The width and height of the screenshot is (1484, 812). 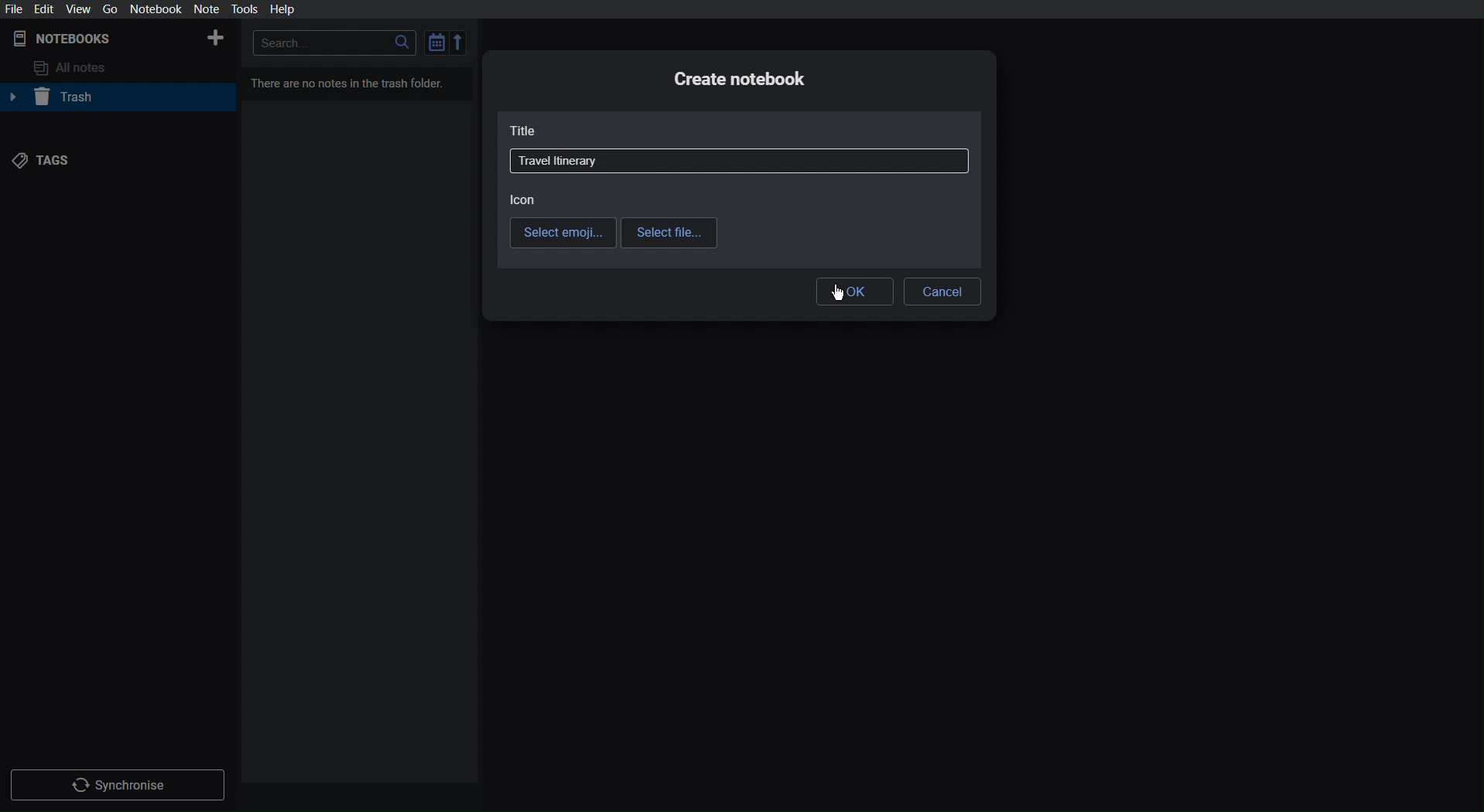 What do you see at coordinates (348, 84) in the screenshot?
I see `There are no notes in the trash folder` at bounding box center [348, 84].